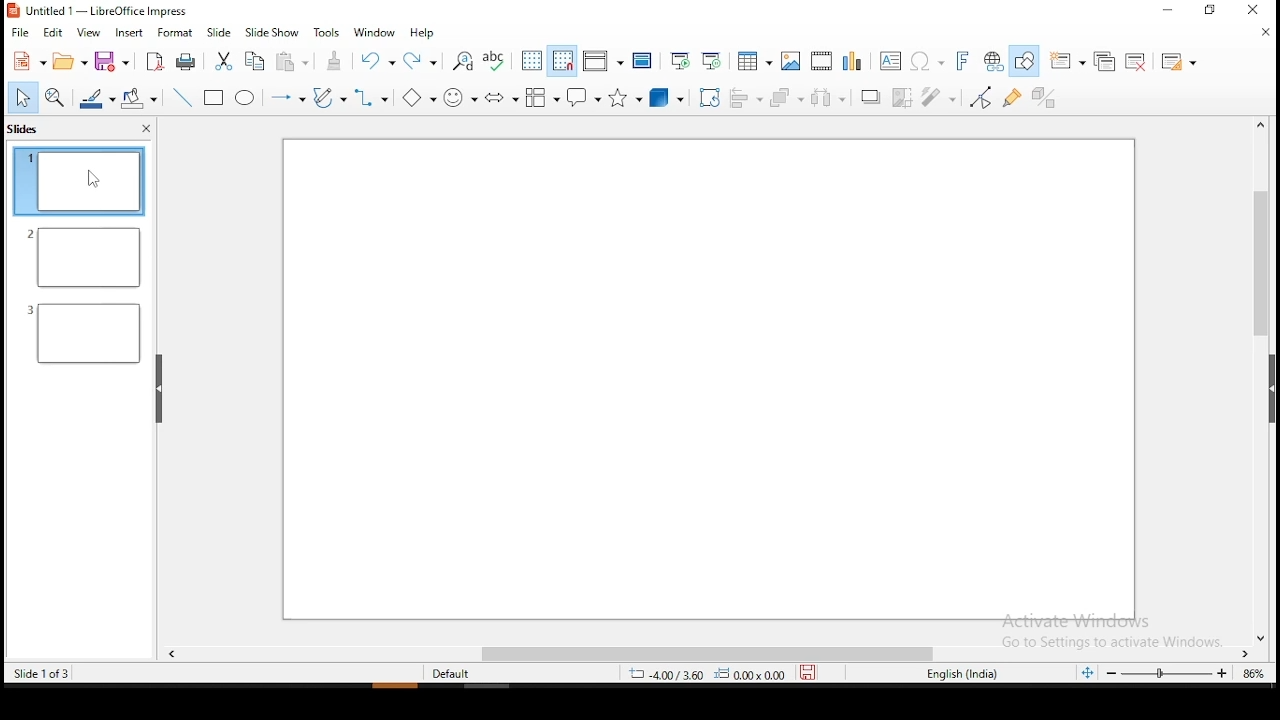 This screenshot has width=1280, height=720. What do you see at coordinates (680, 62) in the screenshot?
I see `start from first slide` at bounding box center [680, 62].